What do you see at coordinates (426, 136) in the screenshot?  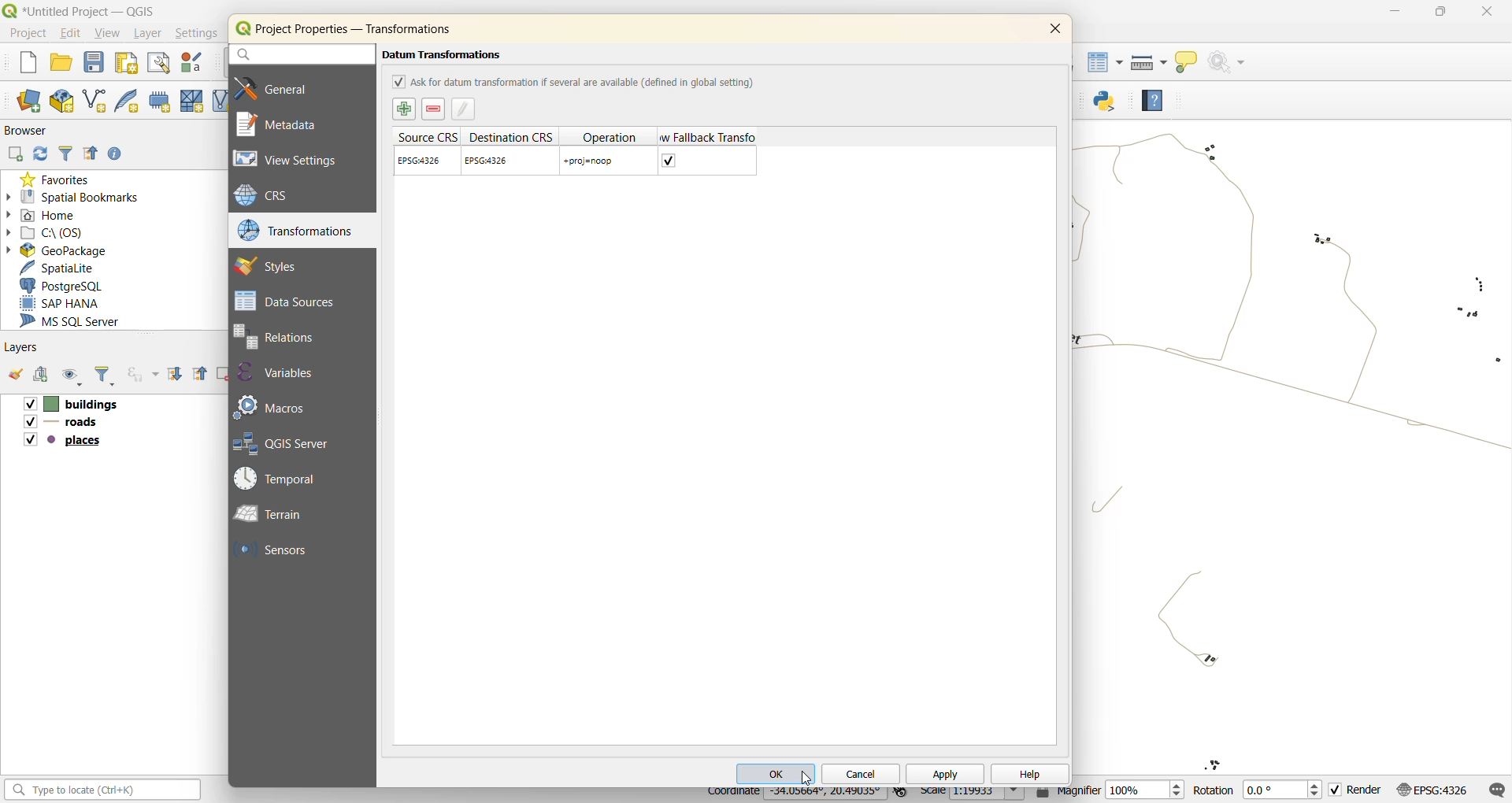 I see `source crs` at bounding box center [426, 136].